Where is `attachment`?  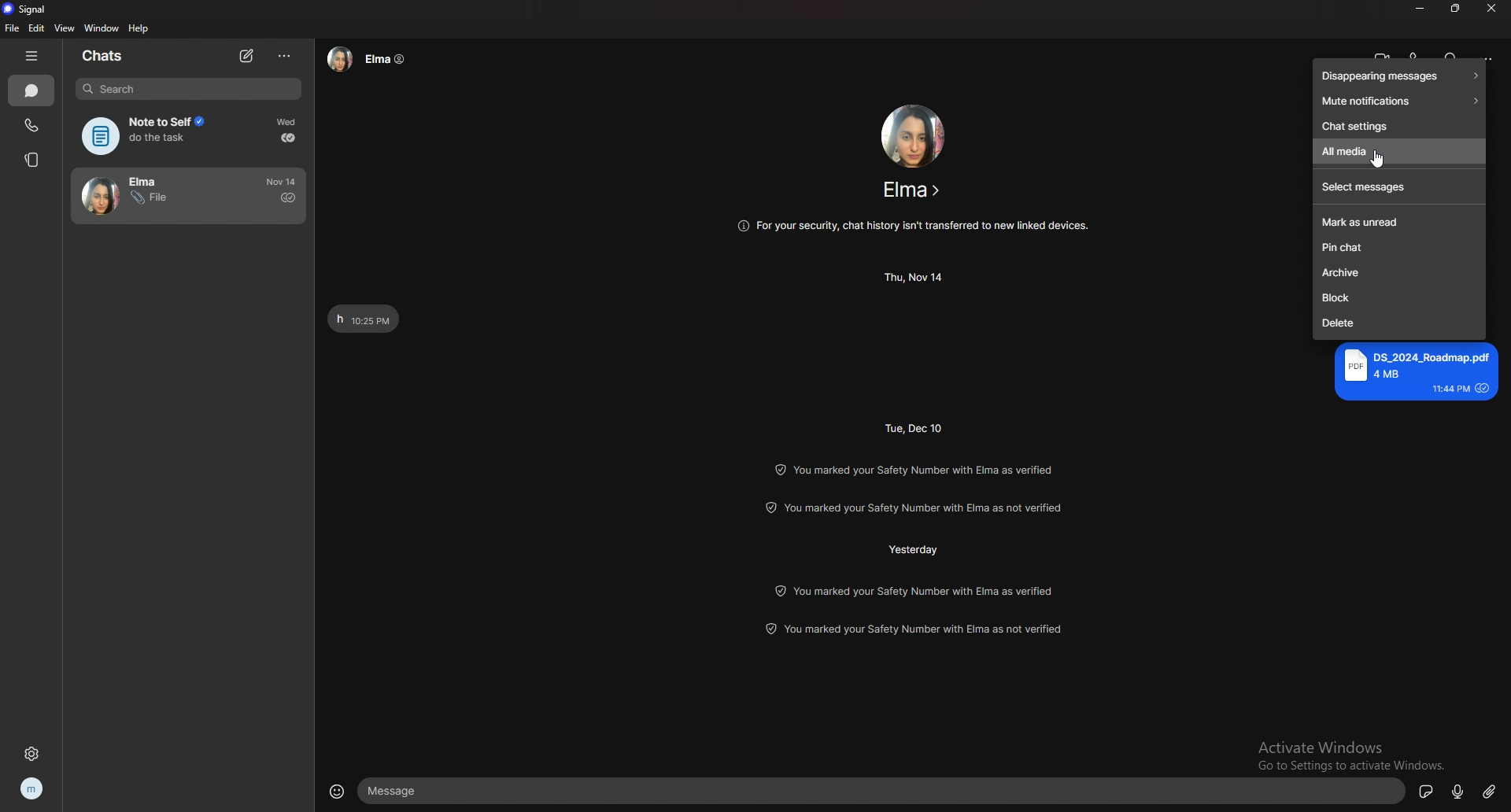
attachment is located at coordinates (1490, 792).